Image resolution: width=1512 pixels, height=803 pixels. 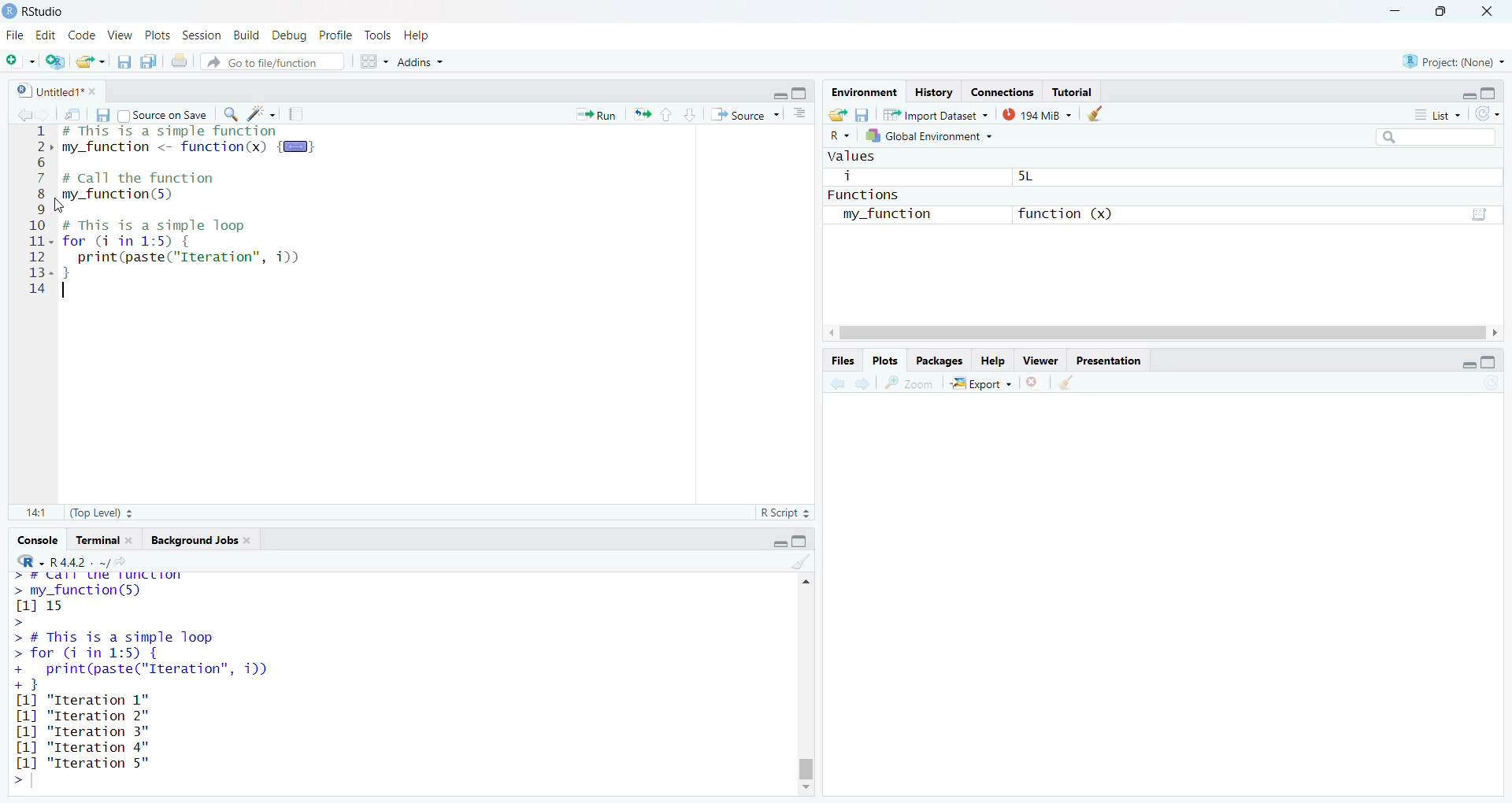 What do you see at coordinates (803, 542) in the screenshot?
I see `maximize` at bounding box center [803, 542].